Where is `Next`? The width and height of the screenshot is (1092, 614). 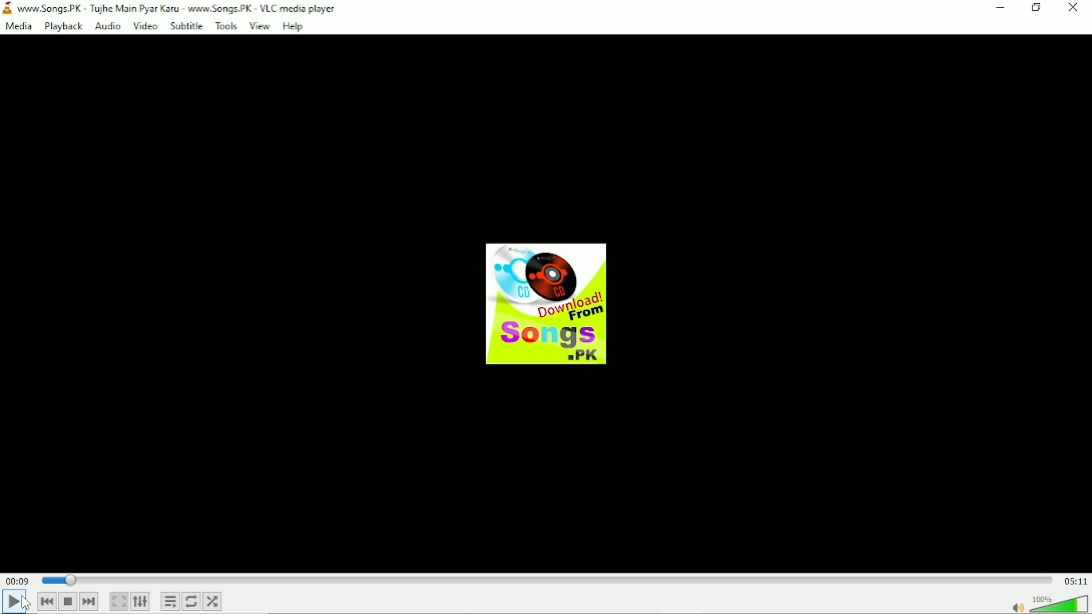 Next is located at coordinates (91, 602).